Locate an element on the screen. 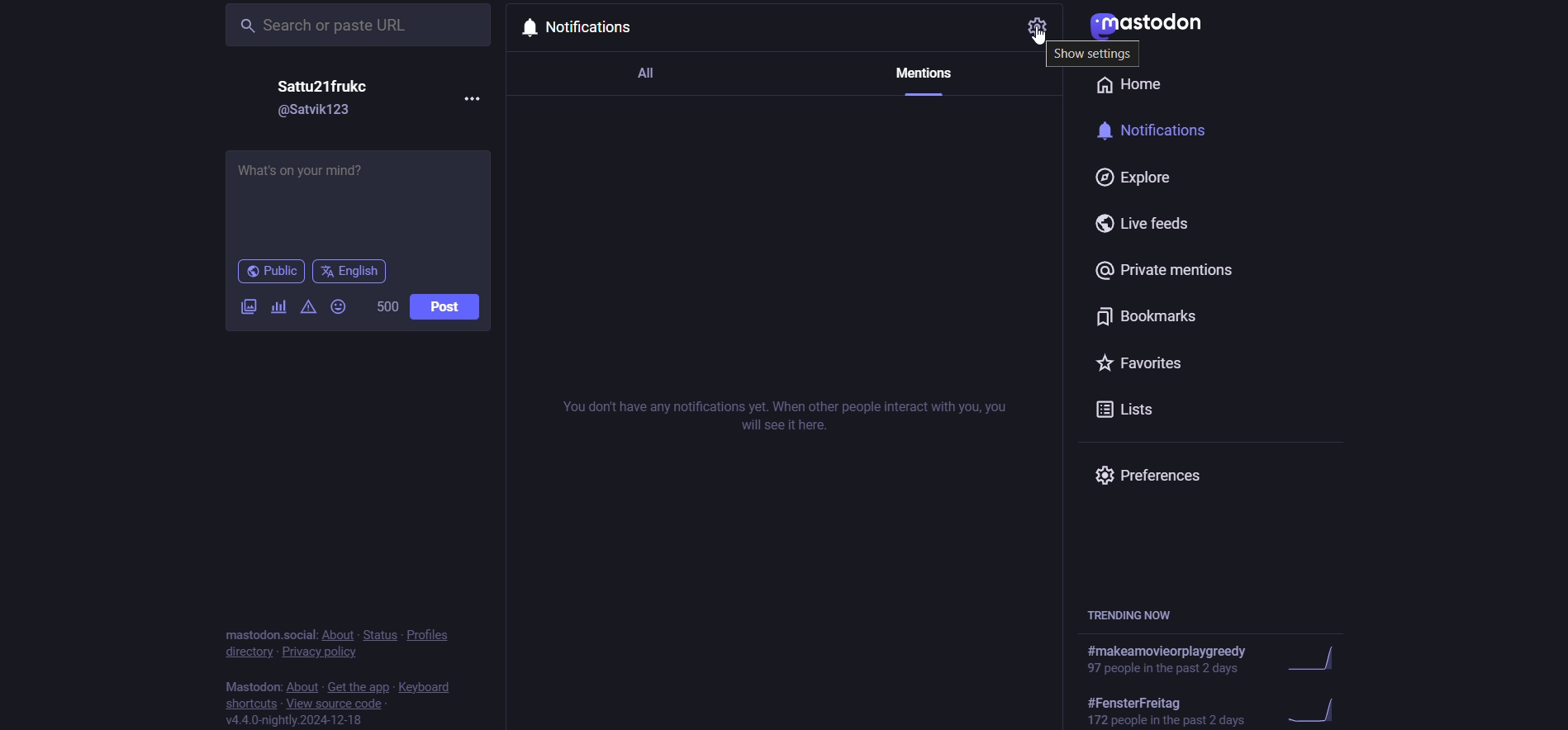 The width and height of the screenshot is (1568, 730). warning message is located at coordinates (310, 306).